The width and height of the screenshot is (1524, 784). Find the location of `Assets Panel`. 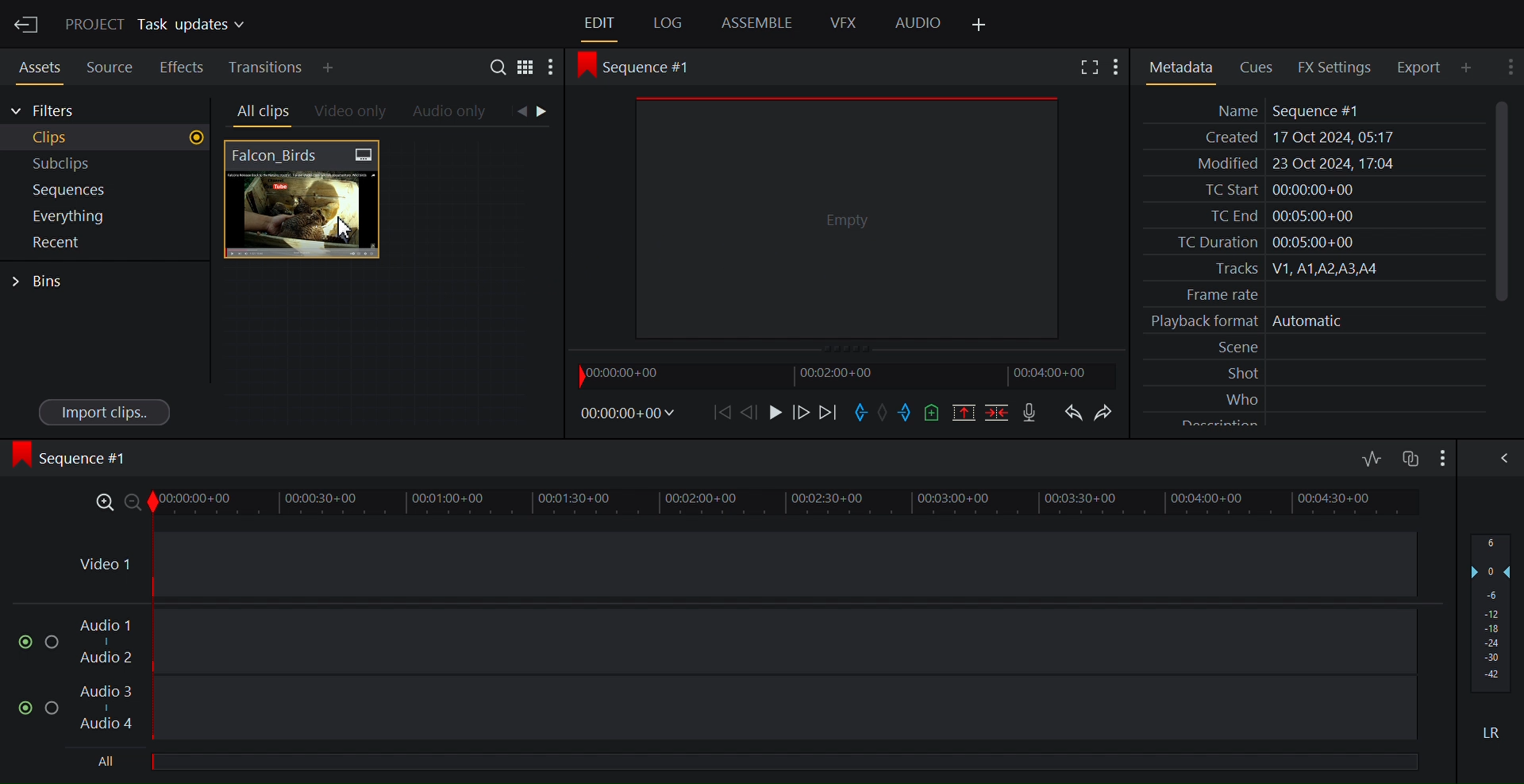

Assets Panel is located at coordinates (35, 65).